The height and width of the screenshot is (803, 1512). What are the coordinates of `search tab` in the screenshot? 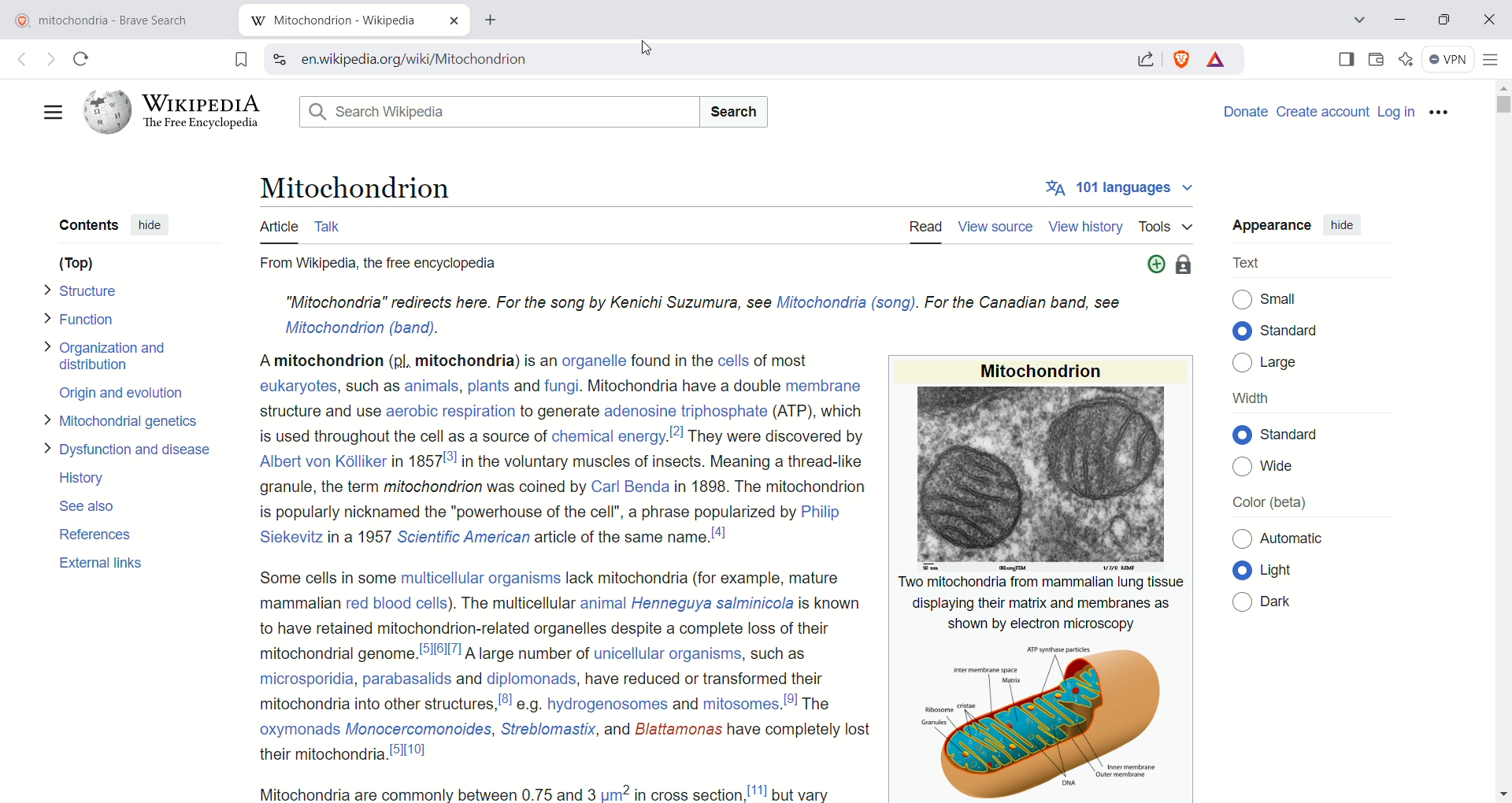 It's located at (1357, 22).